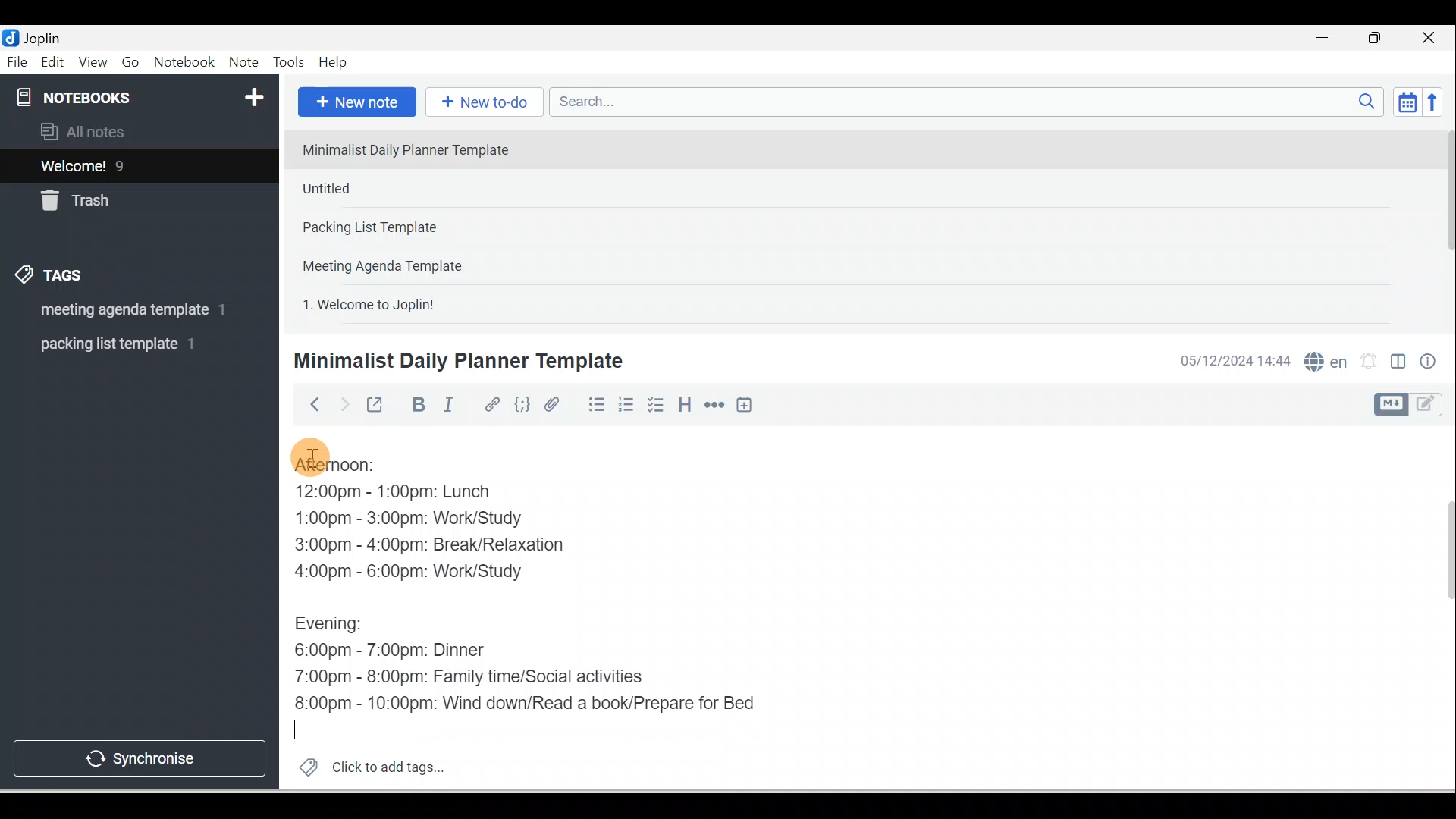 The image size is (1456, 819). I want to click on Insert time, so click(744, 406).